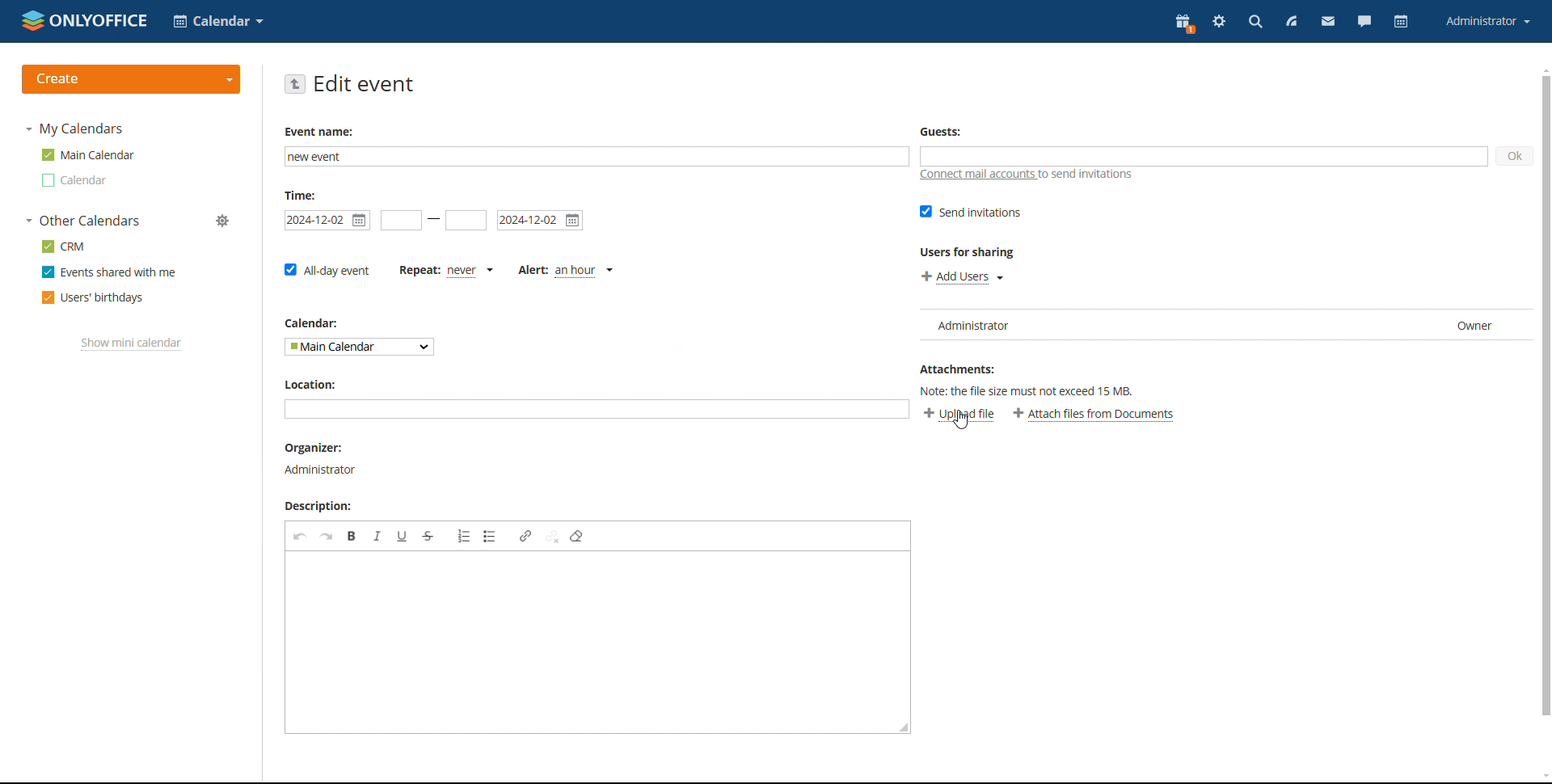  I want to click on upload file, so click(959, 415).